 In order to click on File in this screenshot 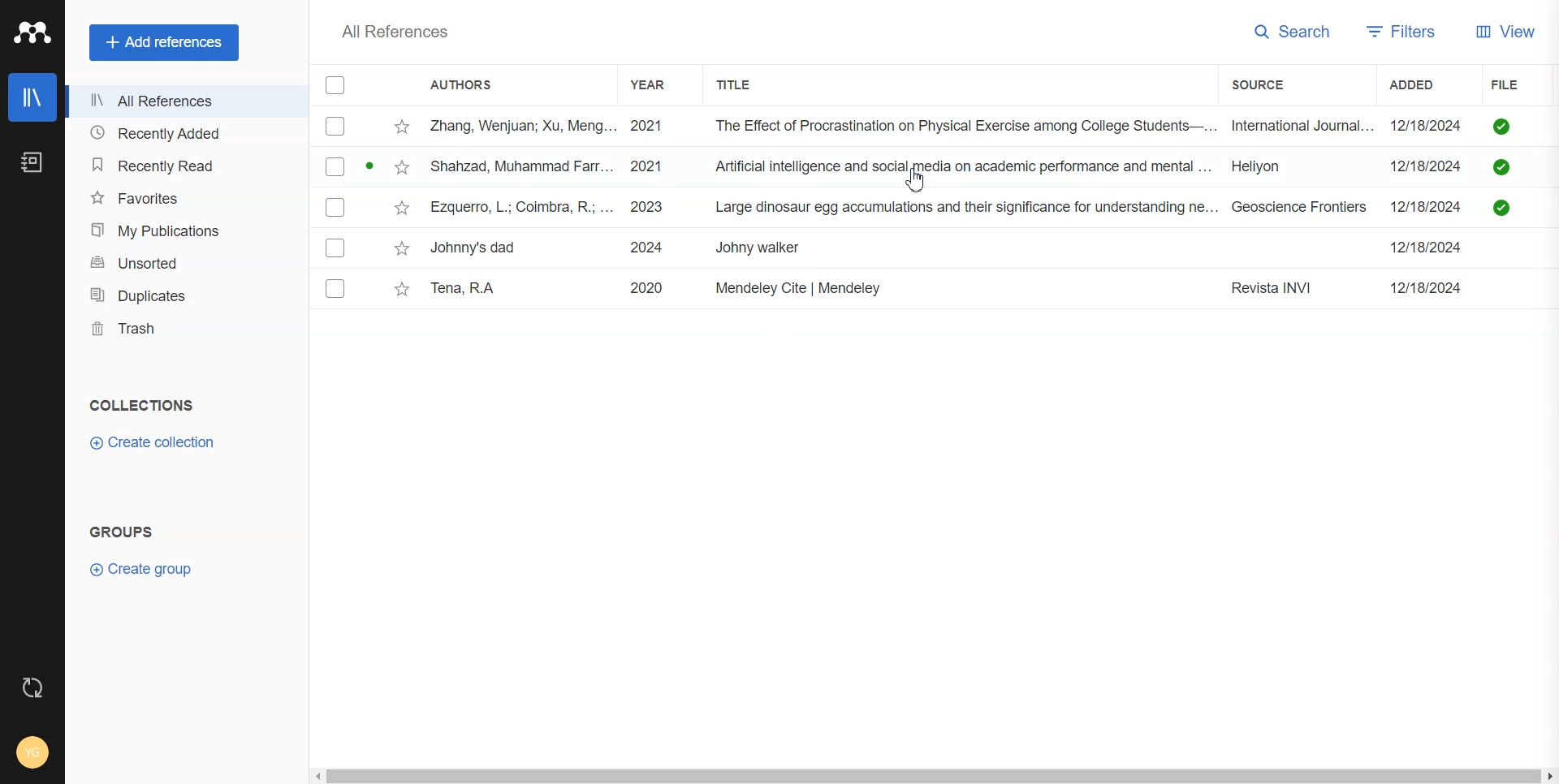, I will do `click(935, 248)`.